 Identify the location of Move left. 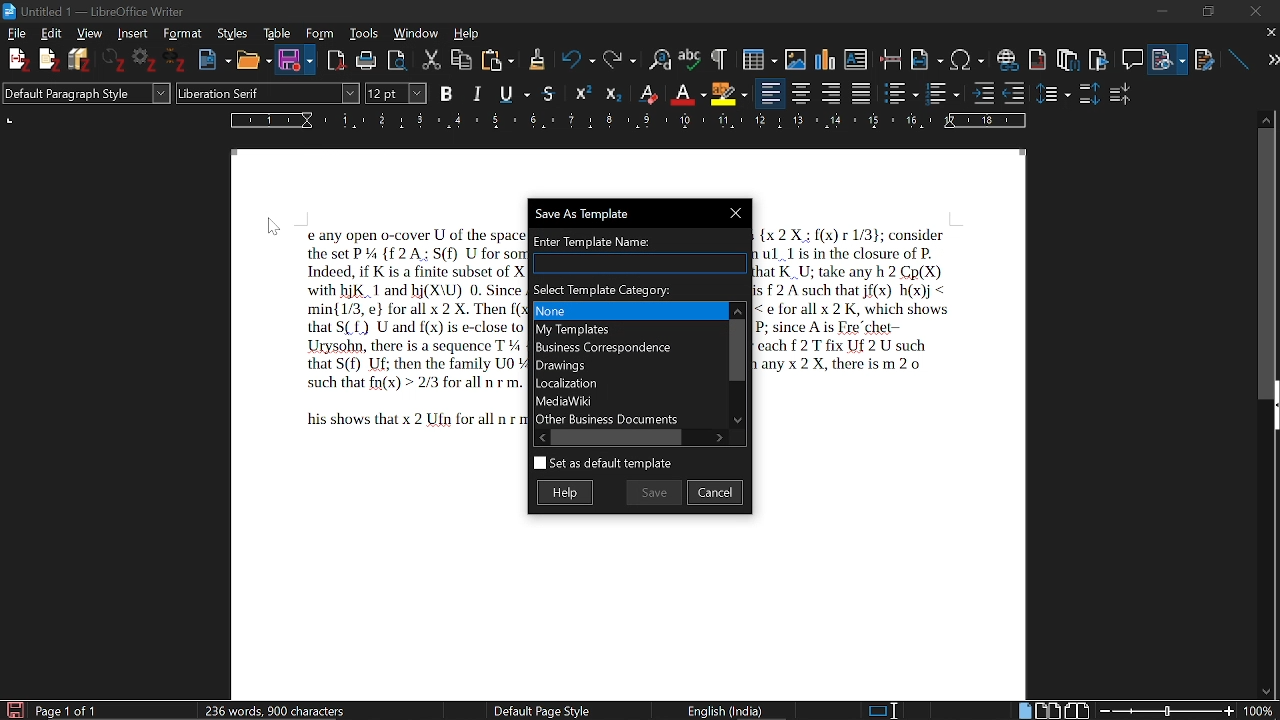
(539, 437).